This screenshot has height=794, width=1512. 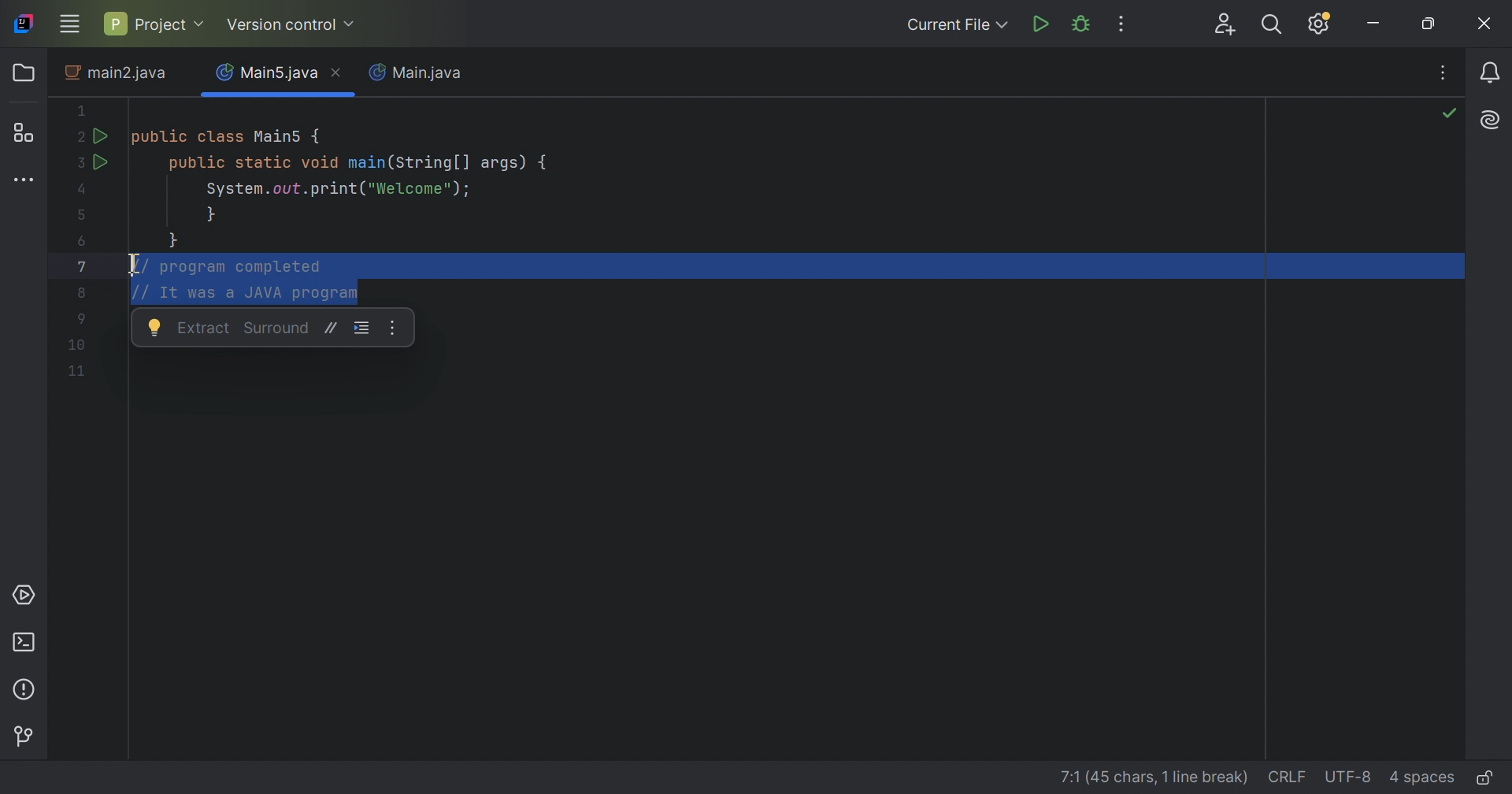 What do you see at coordinates (117, 76) in the screenshot?
I see `main2.java` at bounding box center [117, 76].